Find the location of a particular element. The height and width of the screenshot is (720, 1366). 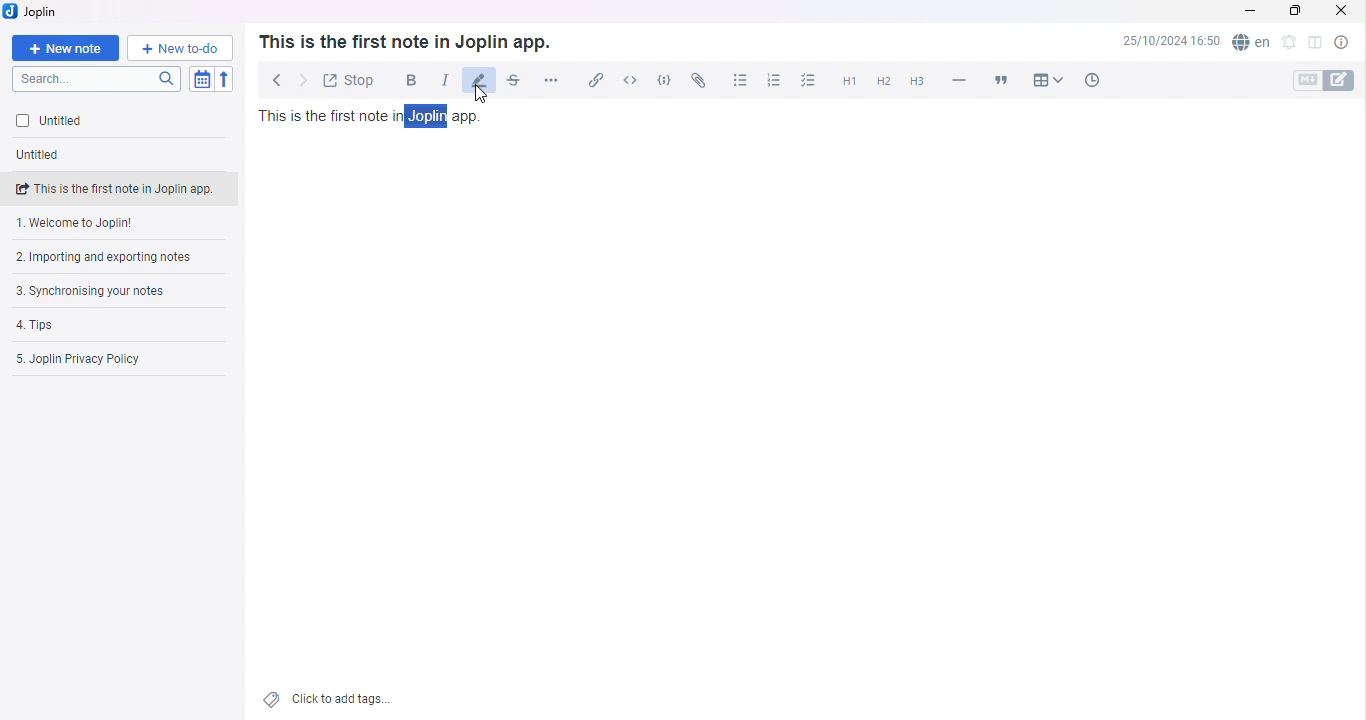

Minimize is located at coordinates (1252, 12).